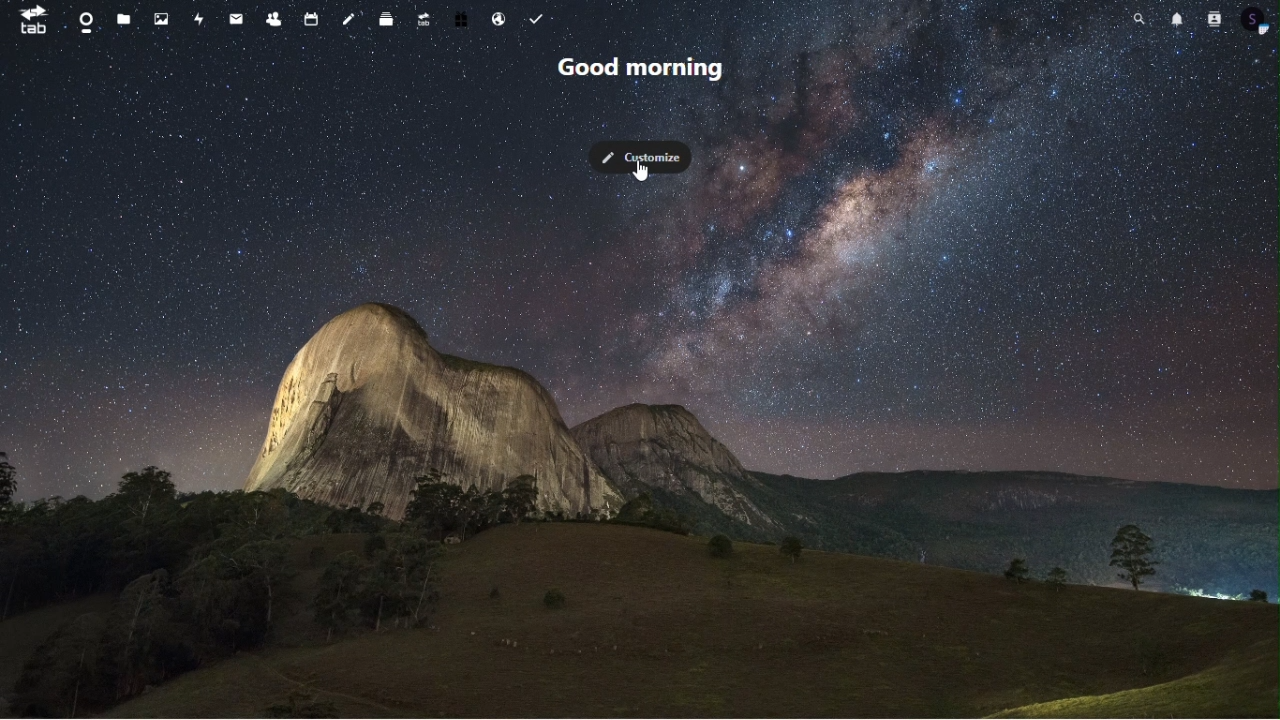  What do you see at coordinates (1176, 17) in the screenshot?
I see `notification` at bounding box center [1176, 17].